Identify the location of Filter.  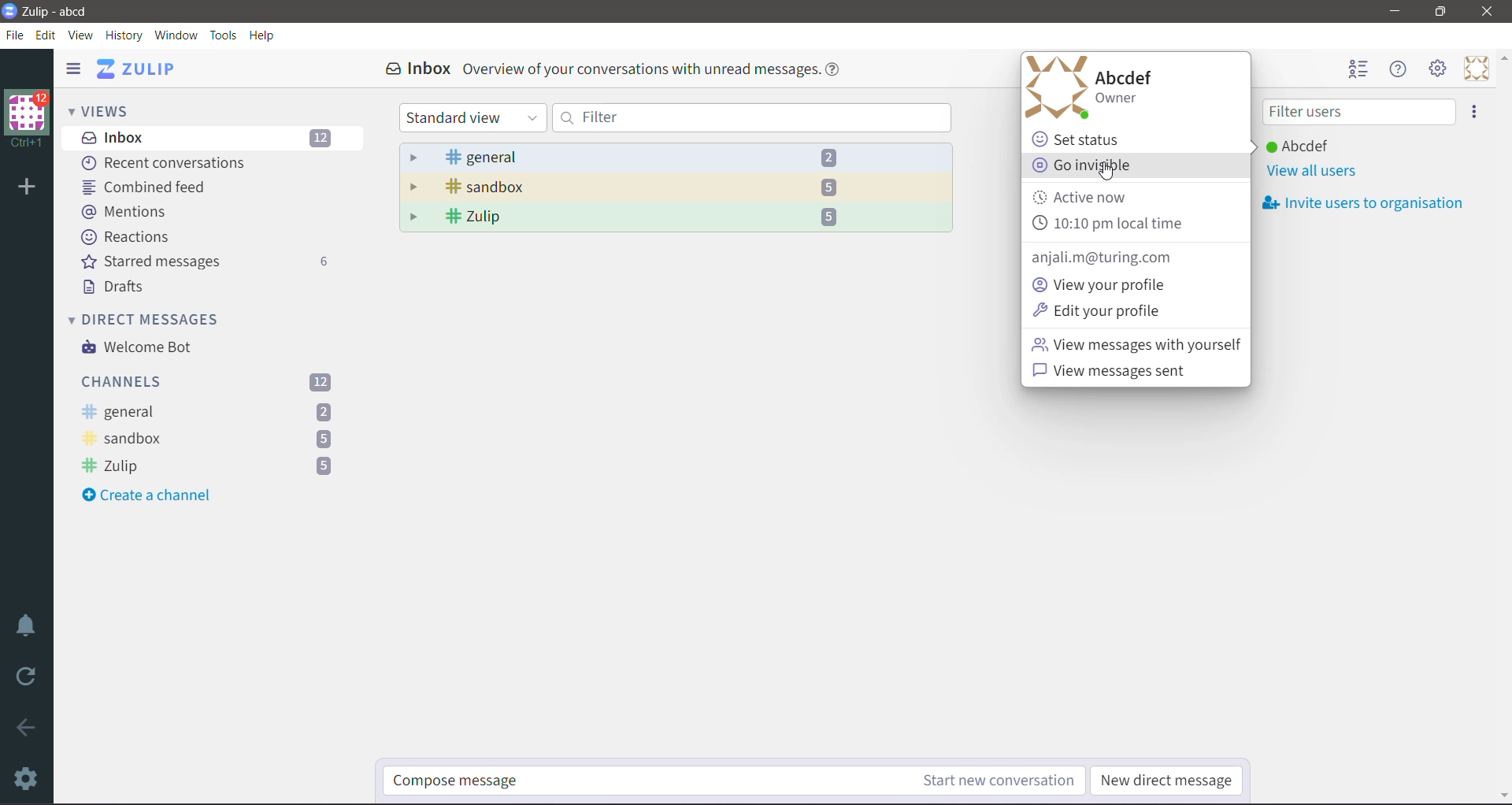
(754, 117).